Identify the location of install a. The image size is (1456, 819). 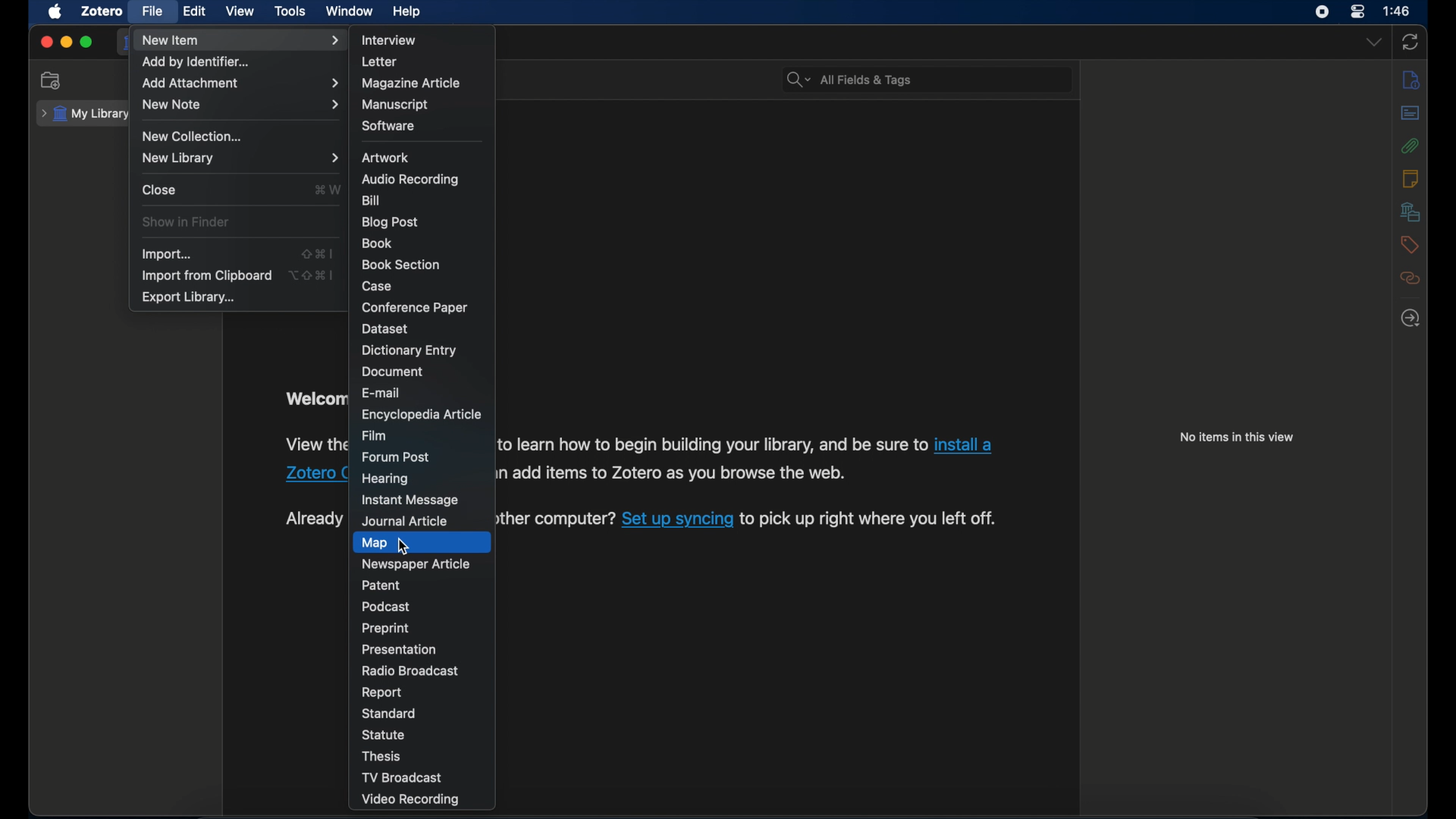
(967, 444).